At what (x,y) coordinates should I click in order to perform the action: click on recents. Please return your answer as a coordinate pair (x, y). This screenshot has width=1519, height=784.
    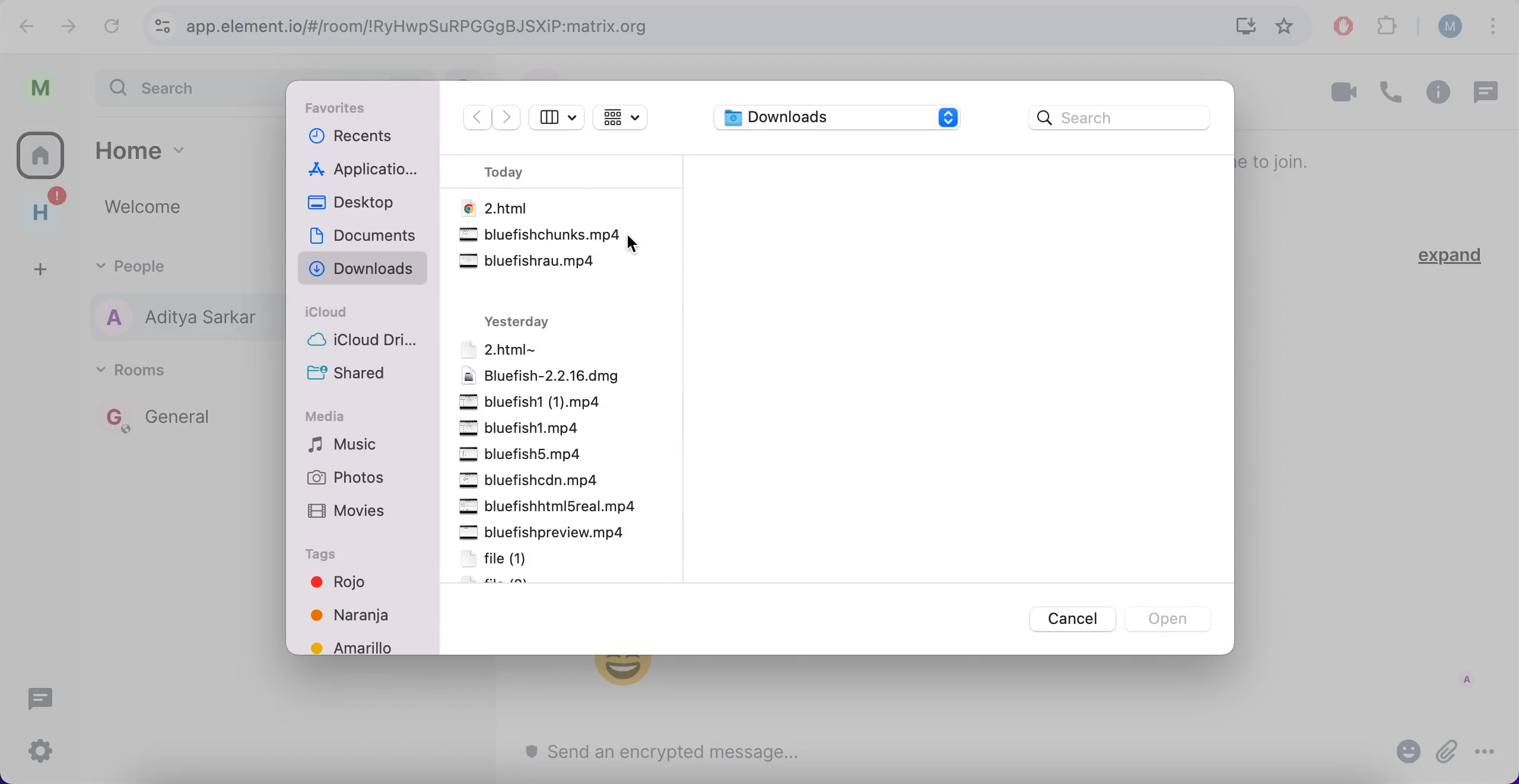
    Looking at the image, I should click on (358, 136).